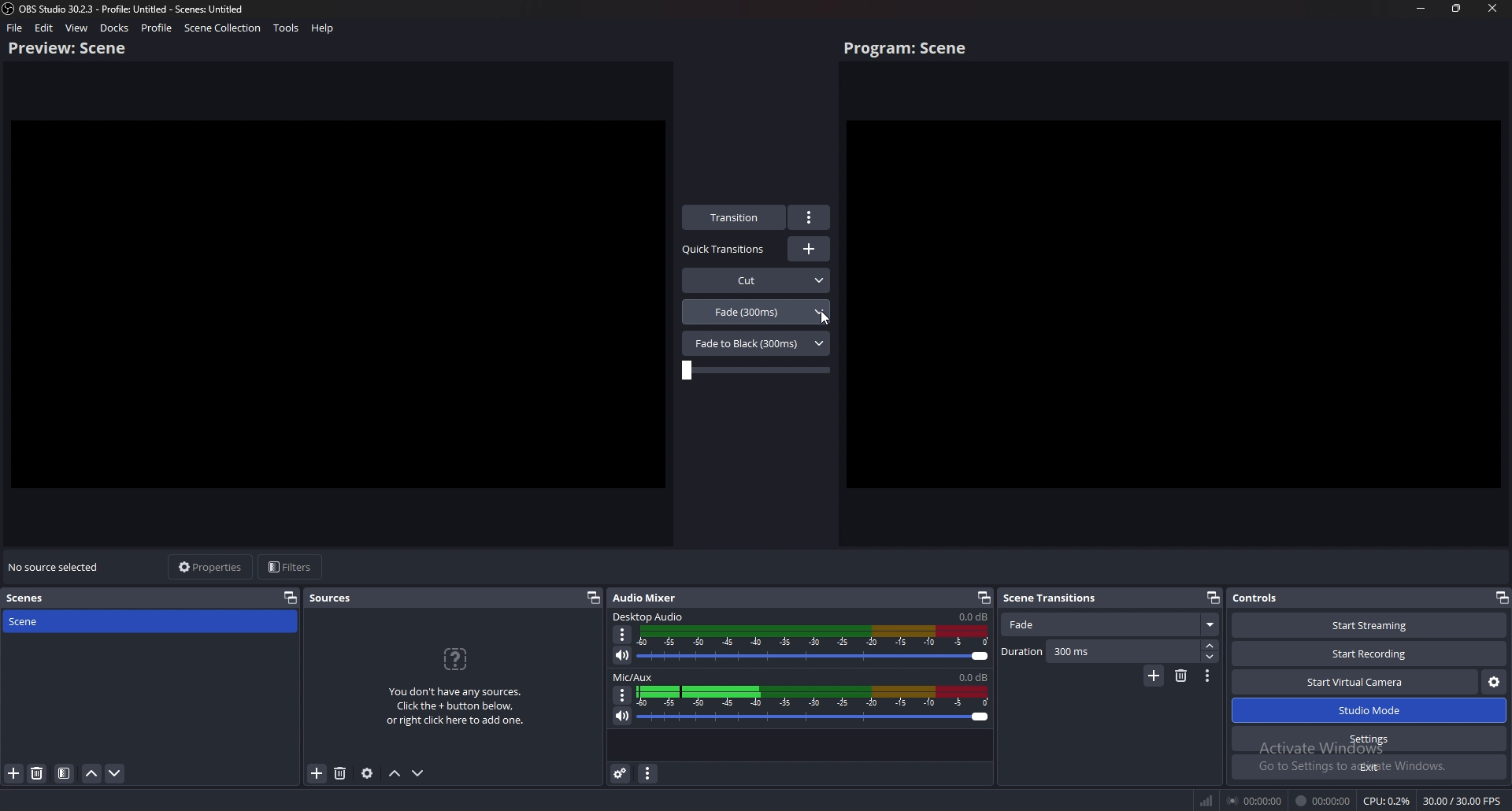 The height and width of the screenshot is (811, 1512). What do you see at coordinates (65, 774) in the screenshot?
I see `filter` at bounding box center [65, 774].